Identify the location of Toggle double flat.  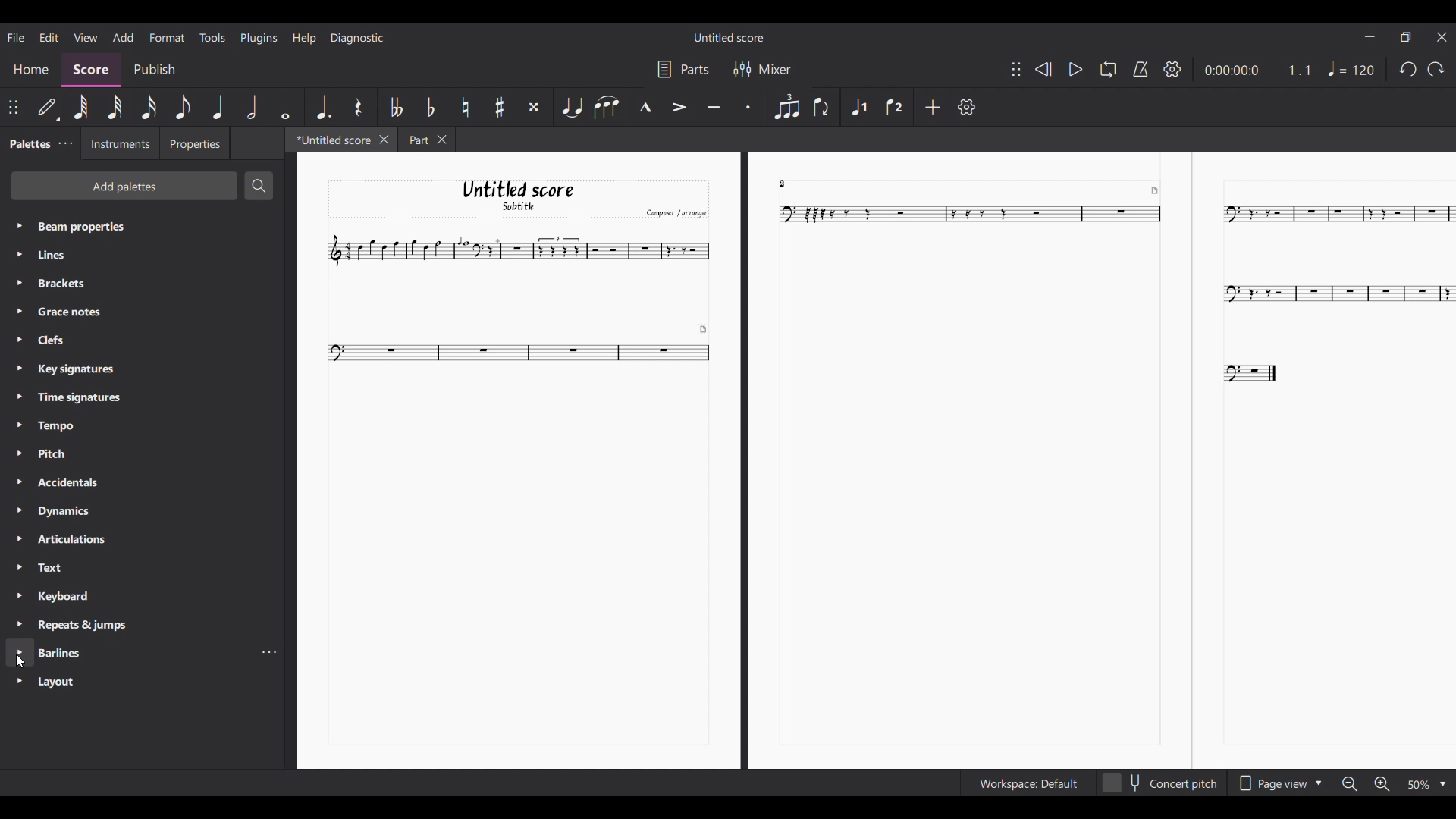
(394, 106).